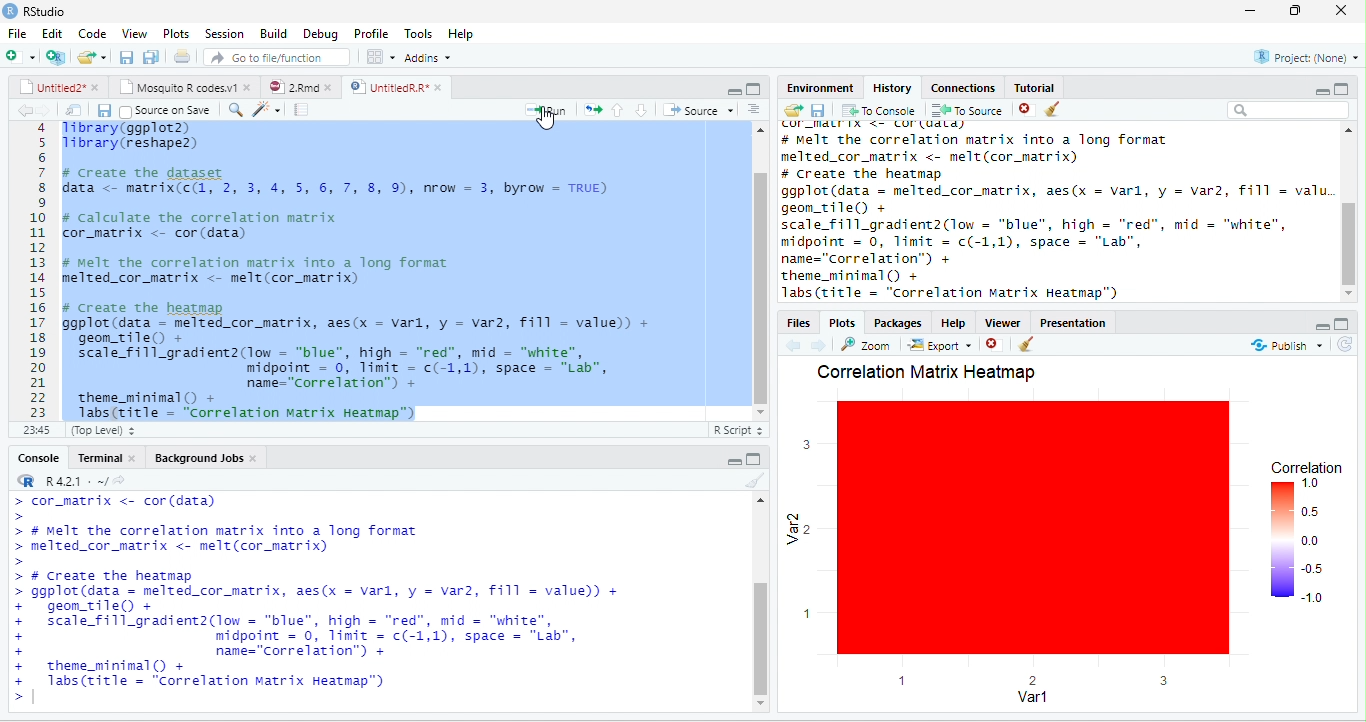  Describe the element at coordinates (176, 33) in the screenshot. I see `plots` at that location.